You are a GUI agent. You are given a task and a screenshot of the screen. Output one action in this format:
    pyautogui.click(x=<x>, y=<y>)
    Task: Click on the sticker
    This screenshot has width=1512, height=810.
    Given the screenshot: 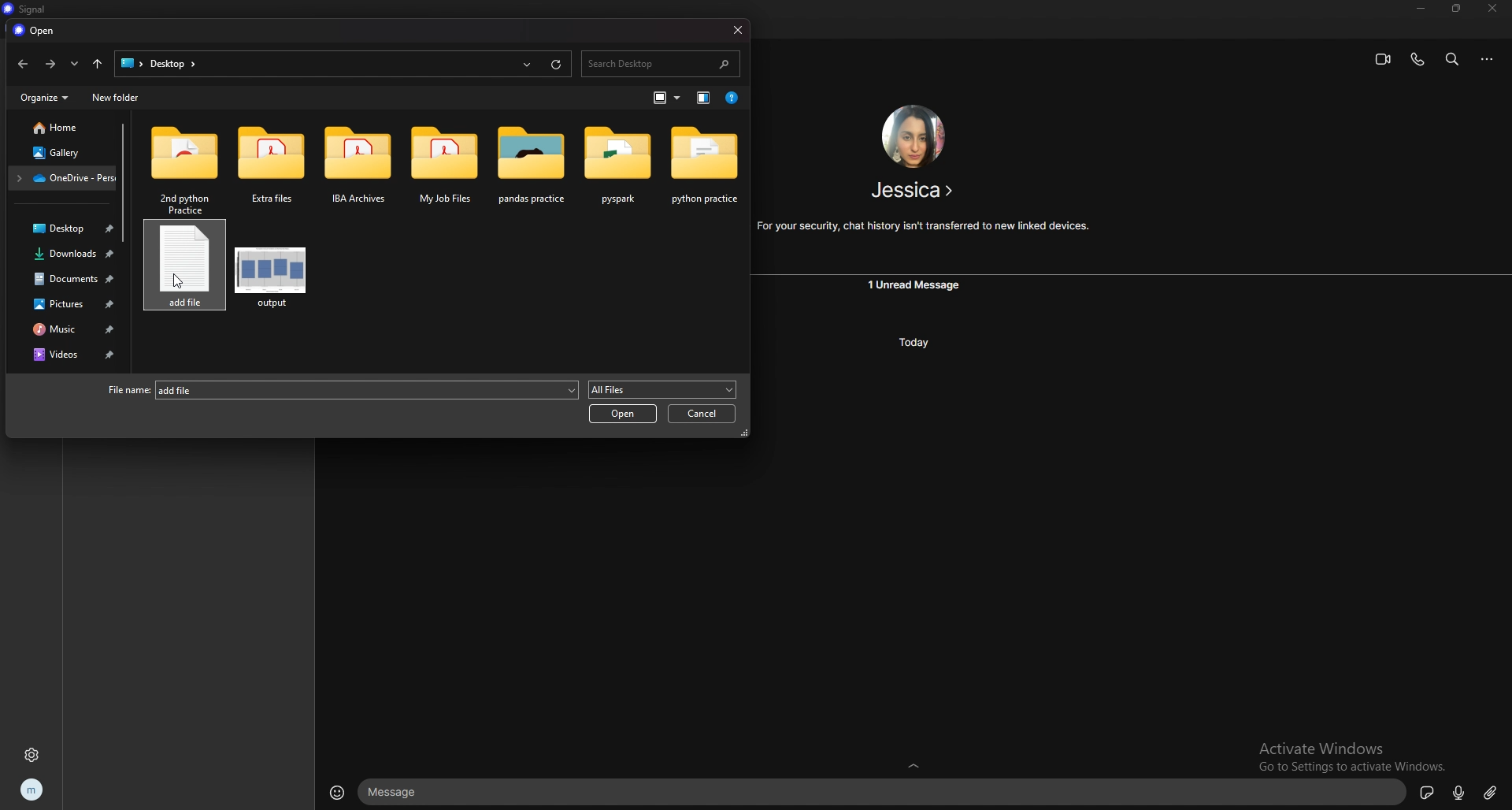 What is the action you would take?
    pyautogui.click(x=1429, y=793)
    